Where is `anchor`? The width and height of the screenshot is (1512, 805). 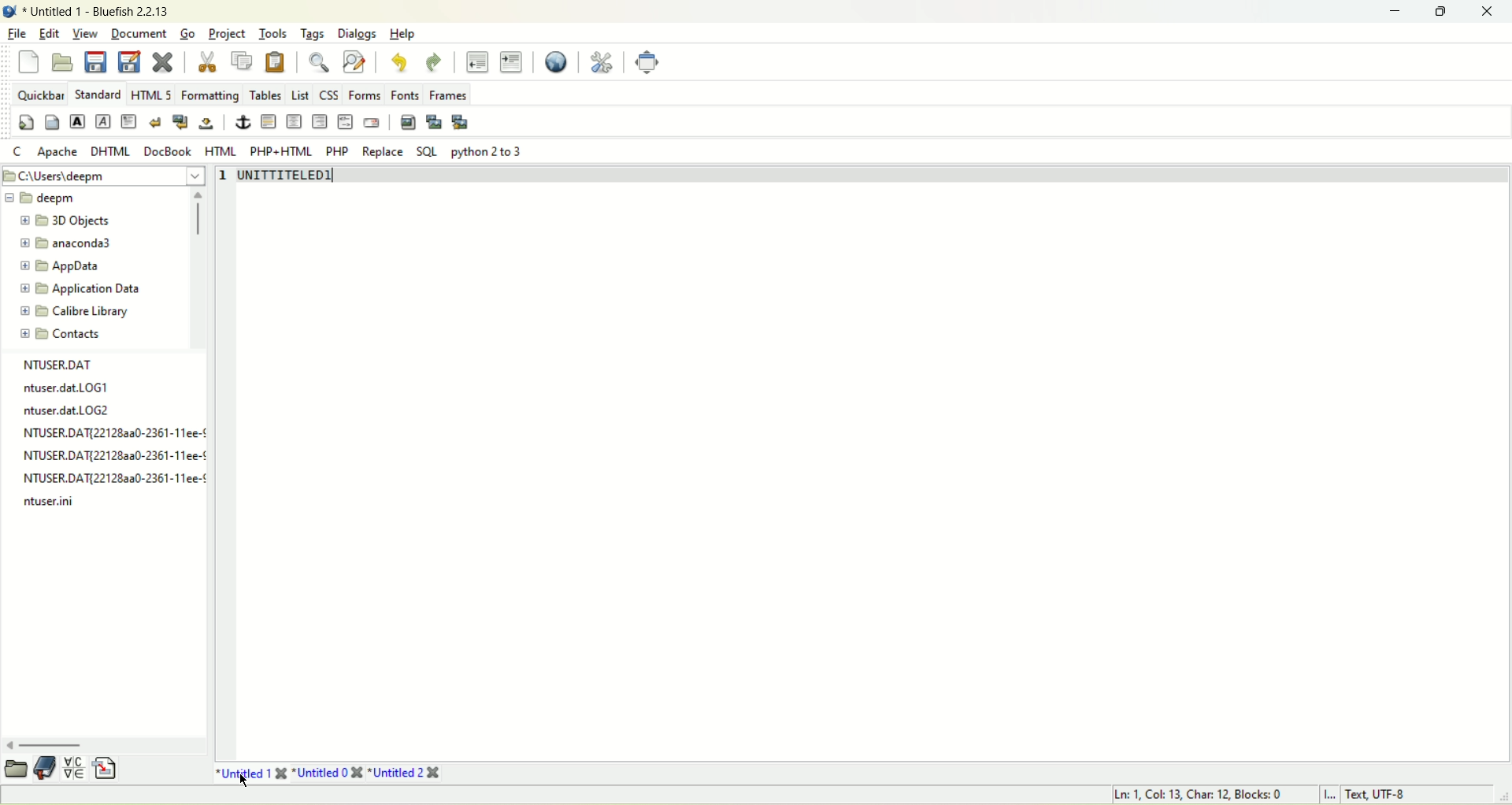 anchor is located at coordinates (241, 122).